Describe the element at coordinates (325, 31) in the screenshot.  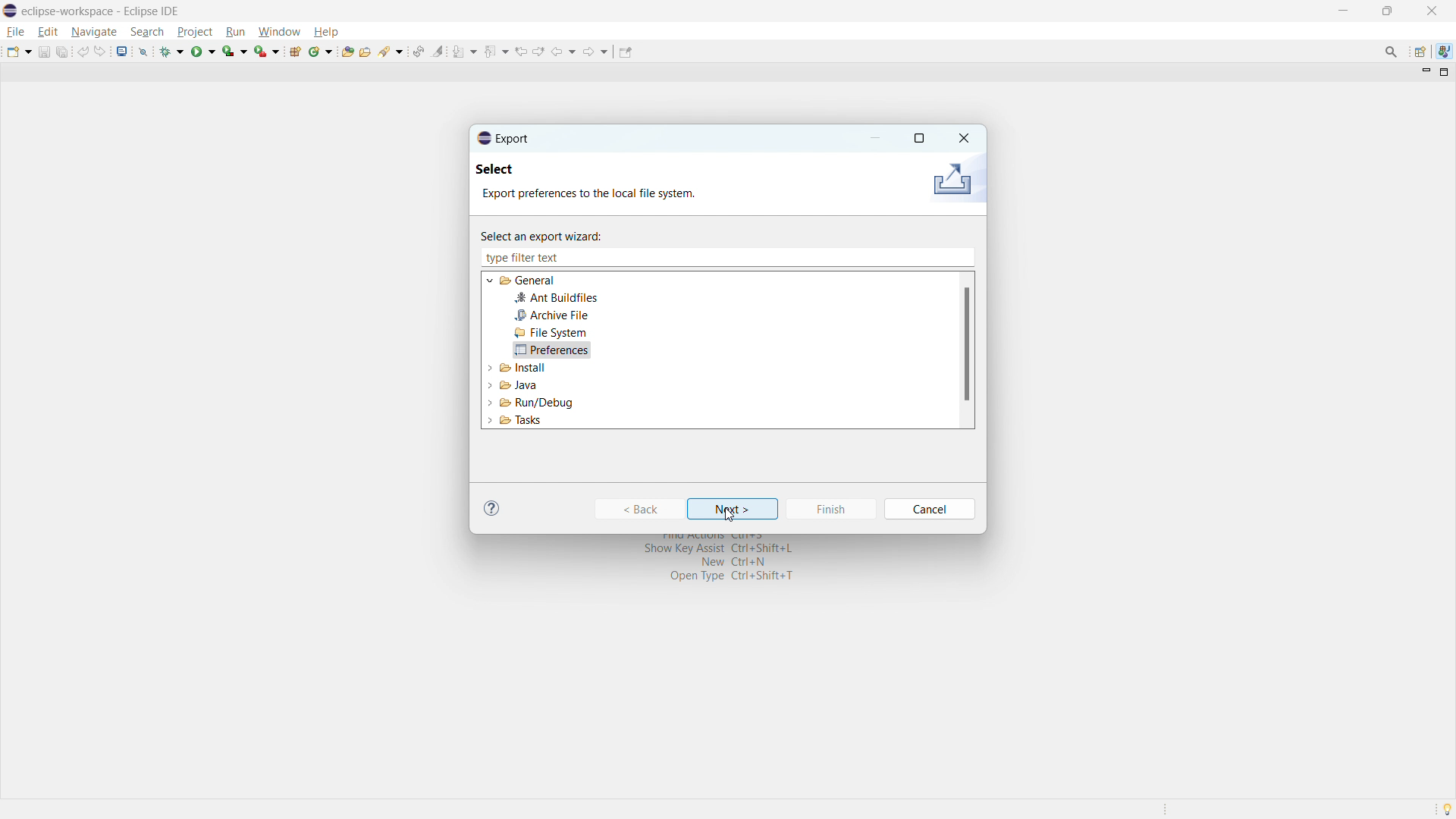
I see `help` at that location.